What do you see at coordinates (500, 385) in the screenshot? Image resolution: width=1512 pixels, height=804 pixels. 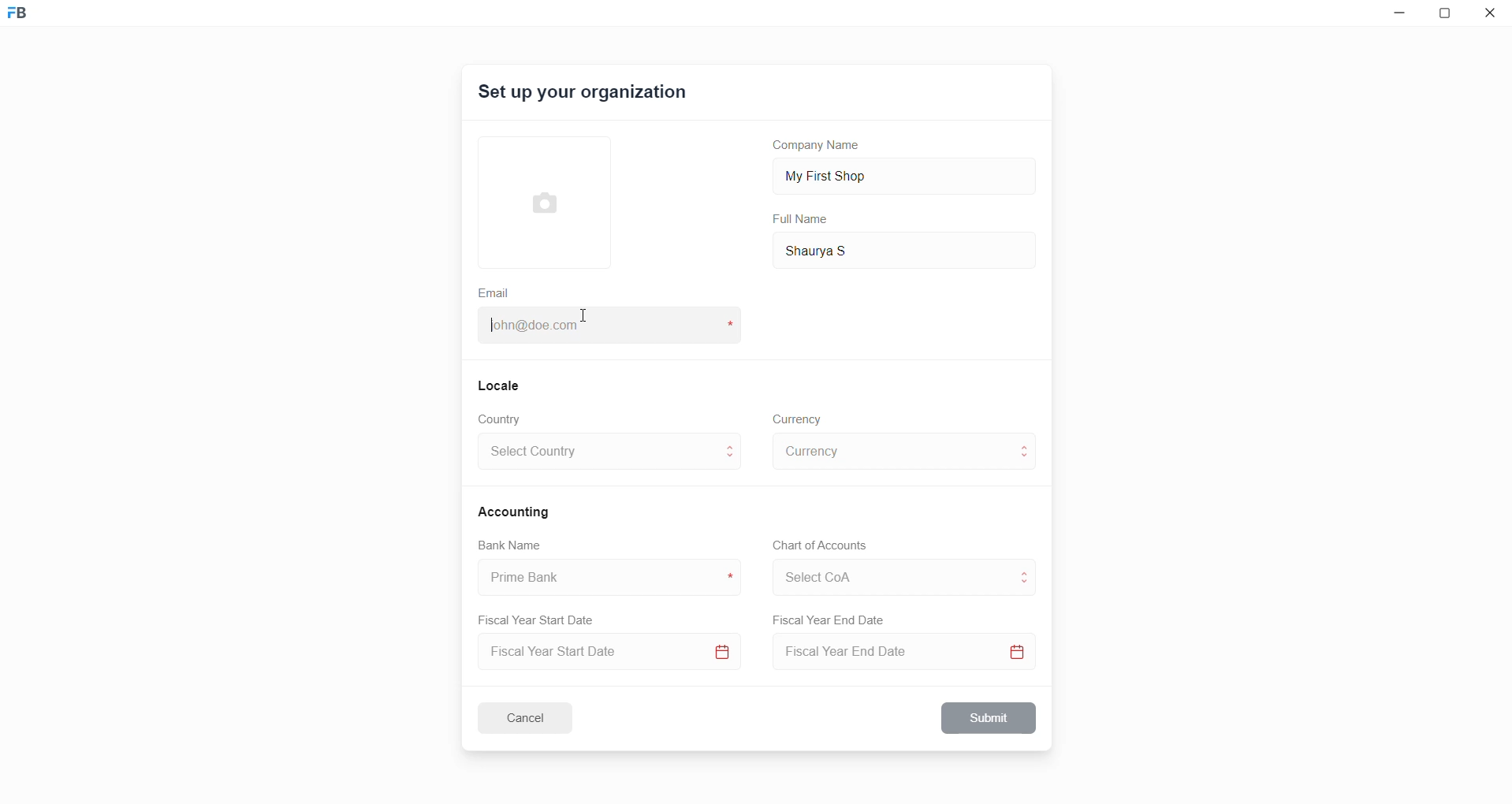 I see `Locale` at bounding box center [500, 385].